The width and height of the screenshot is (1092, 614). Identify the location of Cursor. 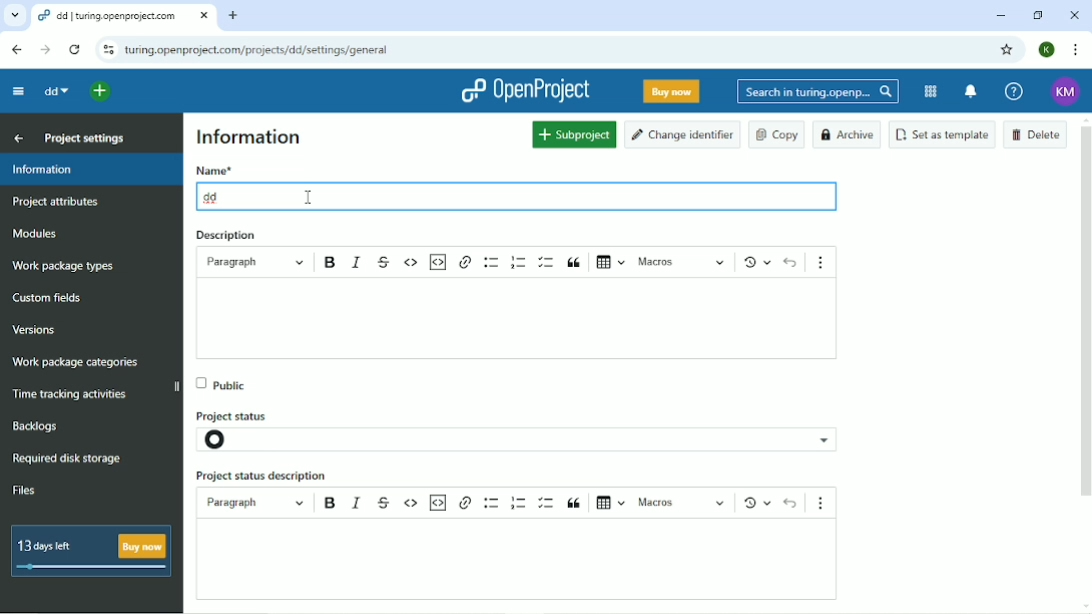
(308, 195).